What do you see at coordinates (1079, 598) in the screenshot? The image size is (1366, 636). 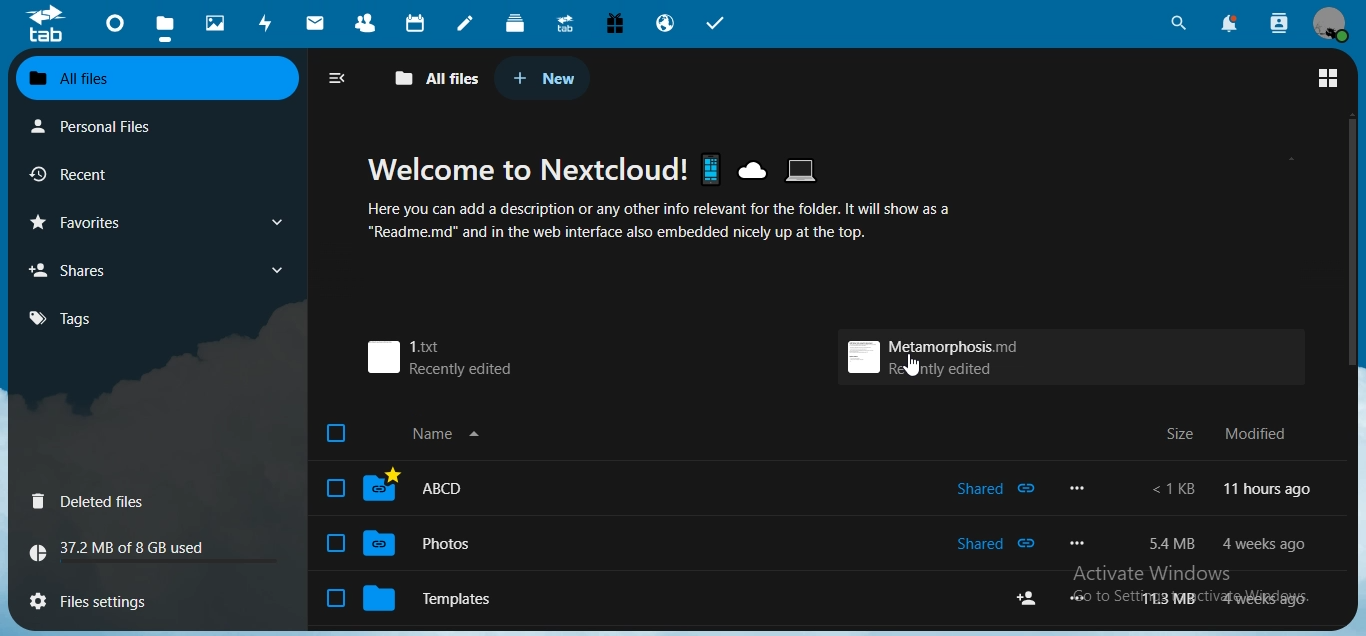 I see `more options` at bounding box center [1079, 598].